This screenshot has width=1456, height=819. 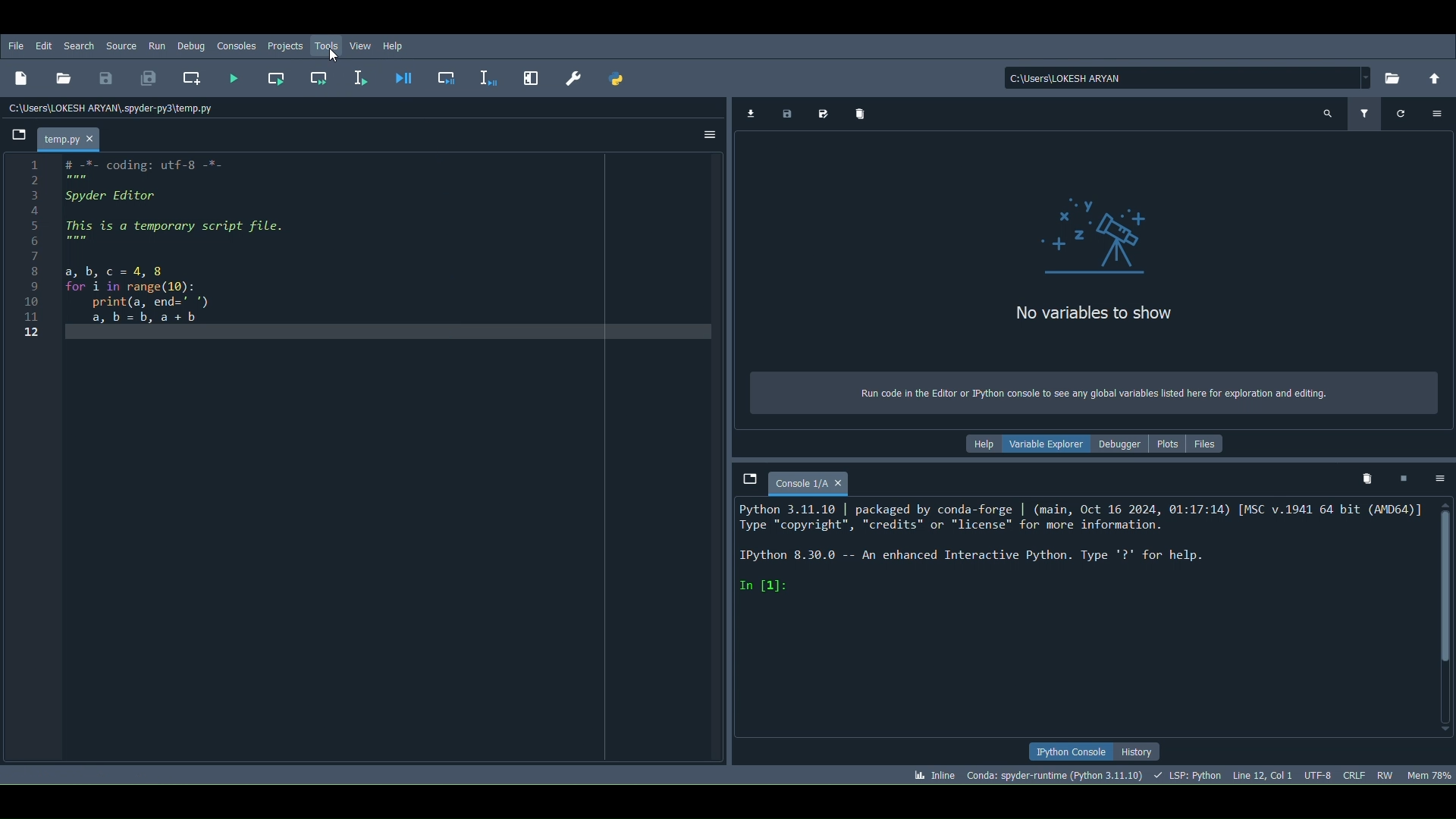 I want to click on Console , so click(x=811, y=482).